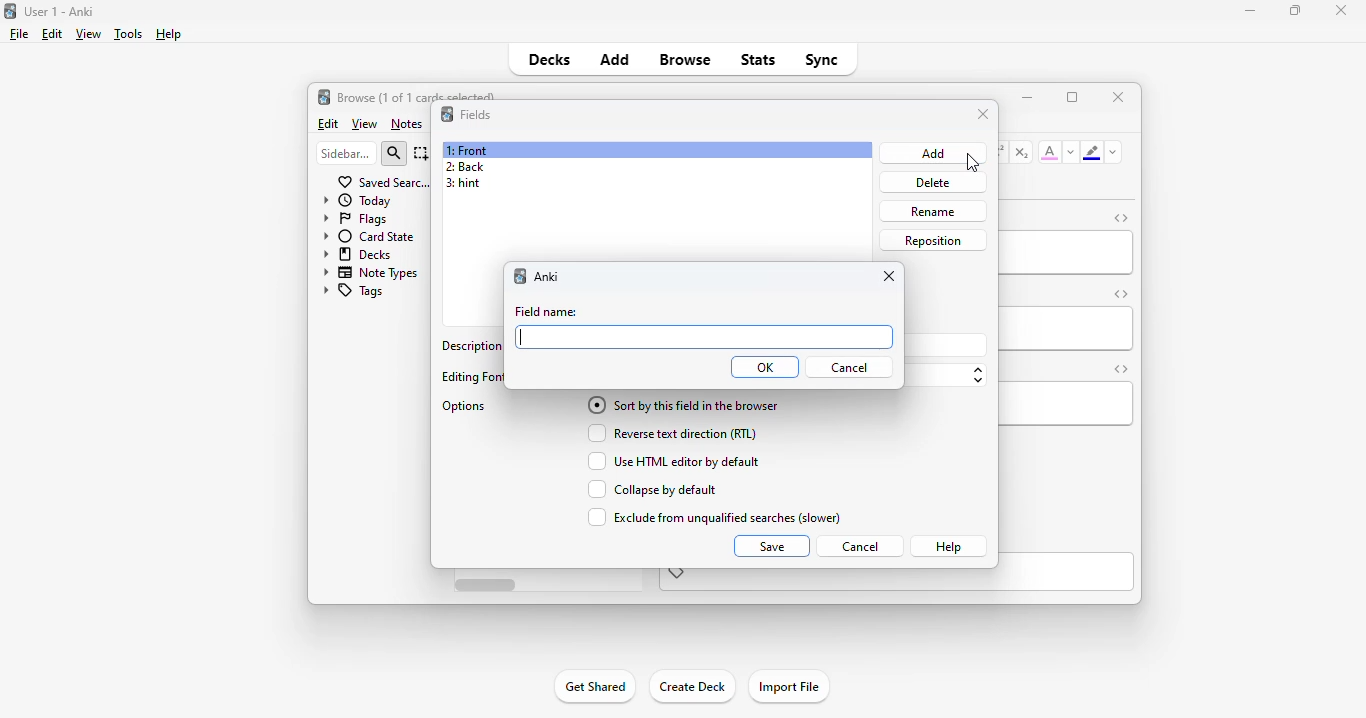 The width and height of the screenshot is (1366, 718). What do you see at coordinates (384, 181) in the screenshot?
I see `saved searches` at bounding box center [384, 181].